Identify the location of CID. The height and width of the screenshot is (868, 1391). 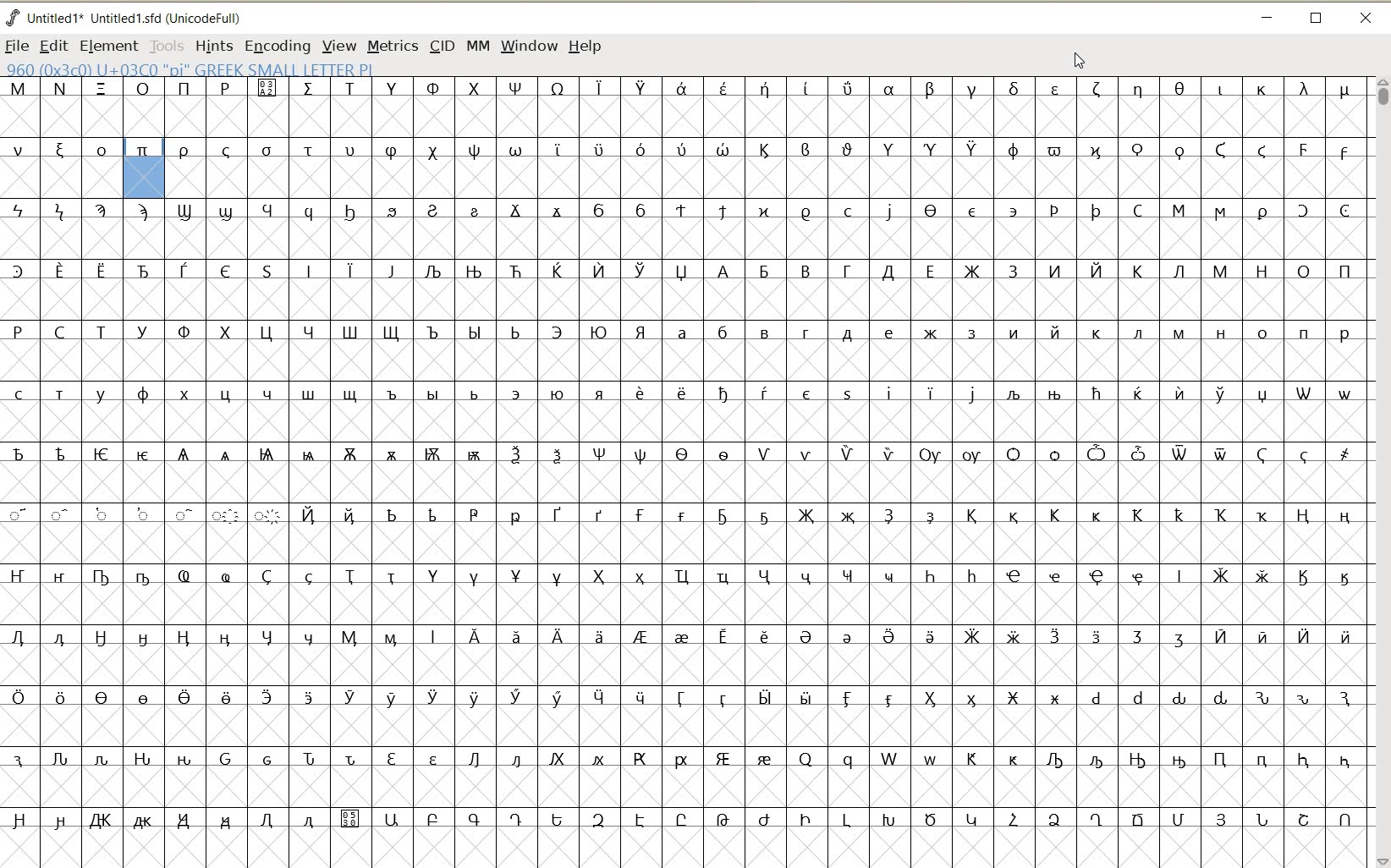
(443, 45).